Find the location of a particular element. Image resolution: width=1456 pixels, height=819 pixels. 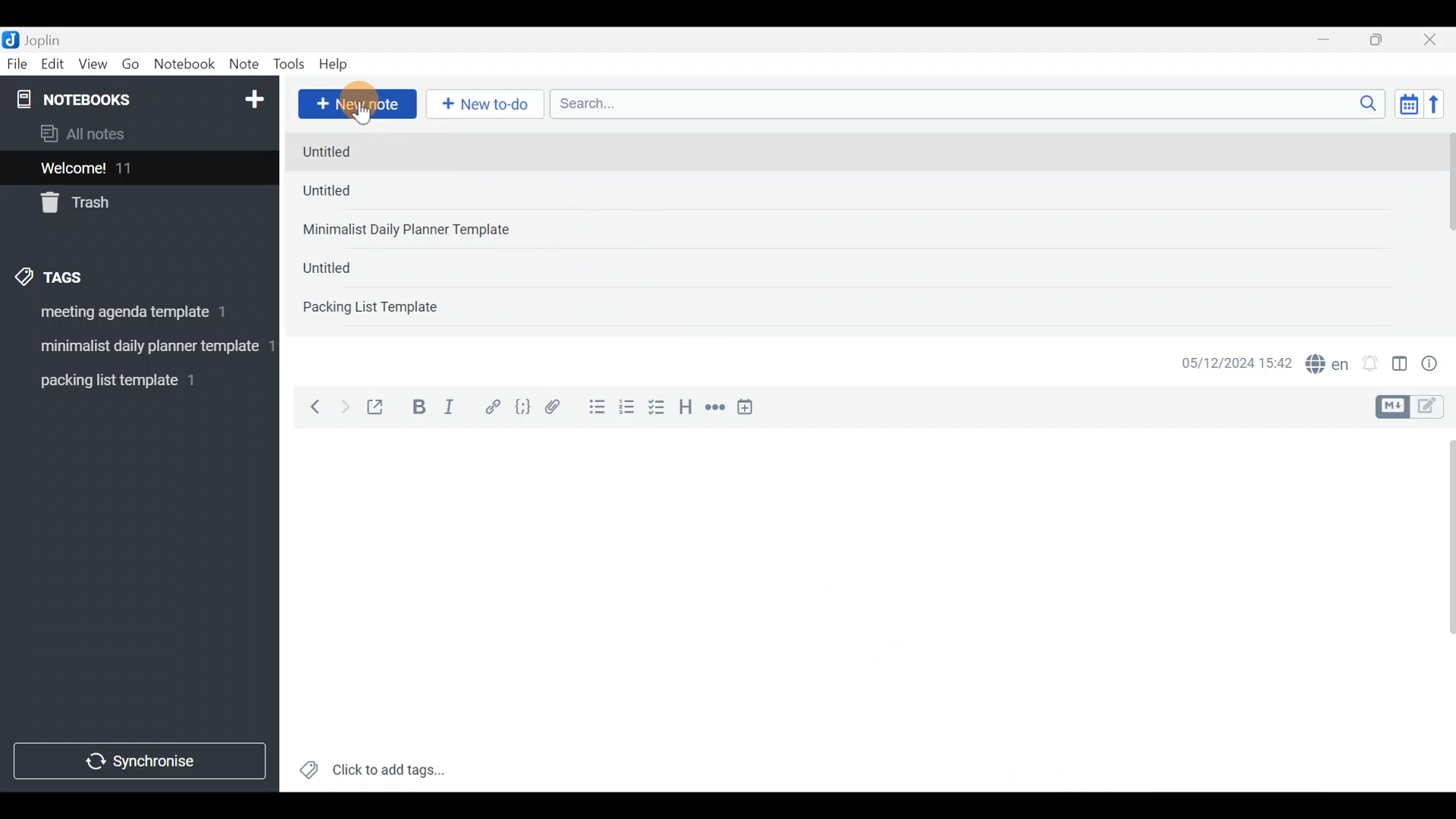

Tag 3 is located at coordinates (134, 380).